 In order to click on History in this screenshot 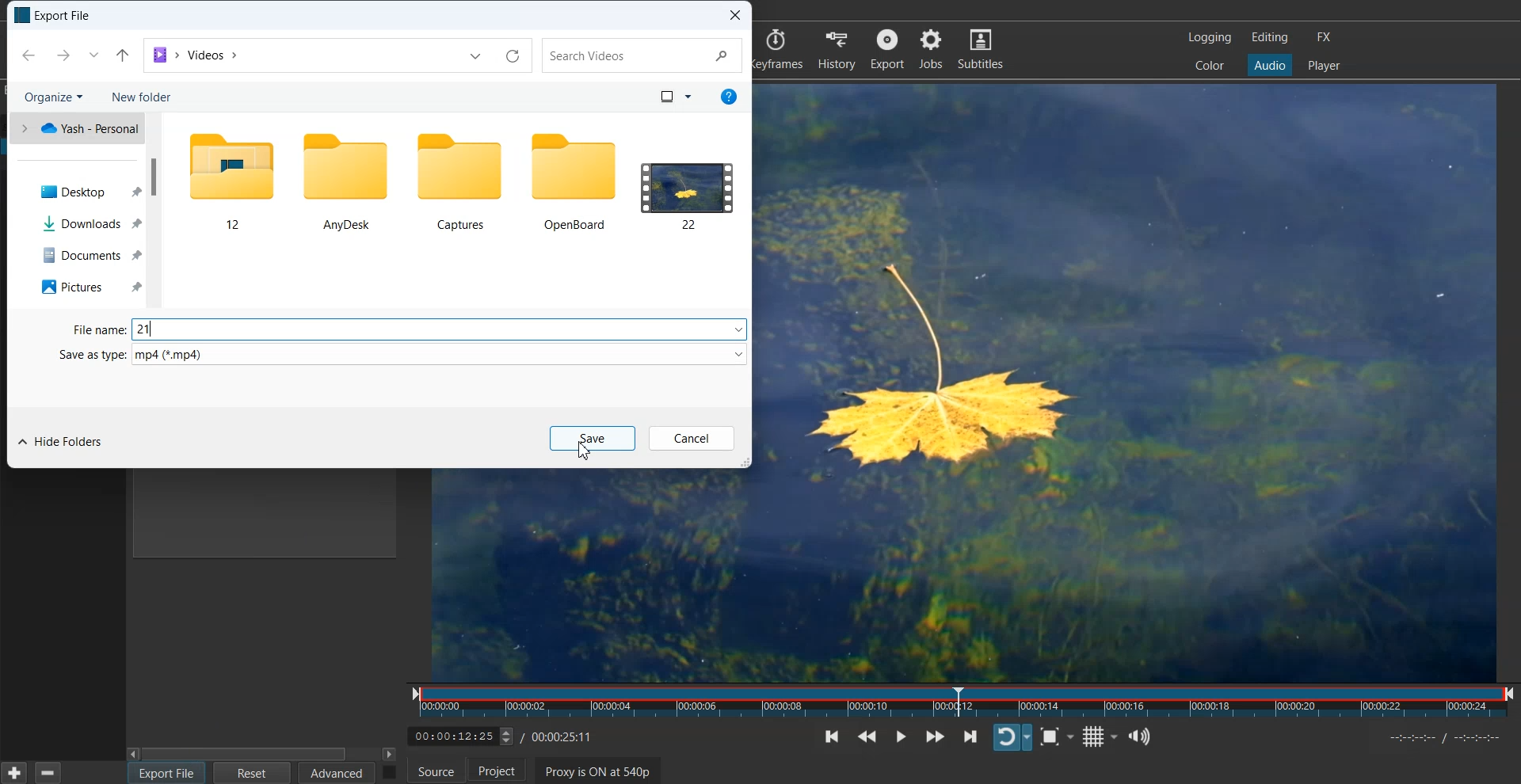, I will do `click(837, 48)`.